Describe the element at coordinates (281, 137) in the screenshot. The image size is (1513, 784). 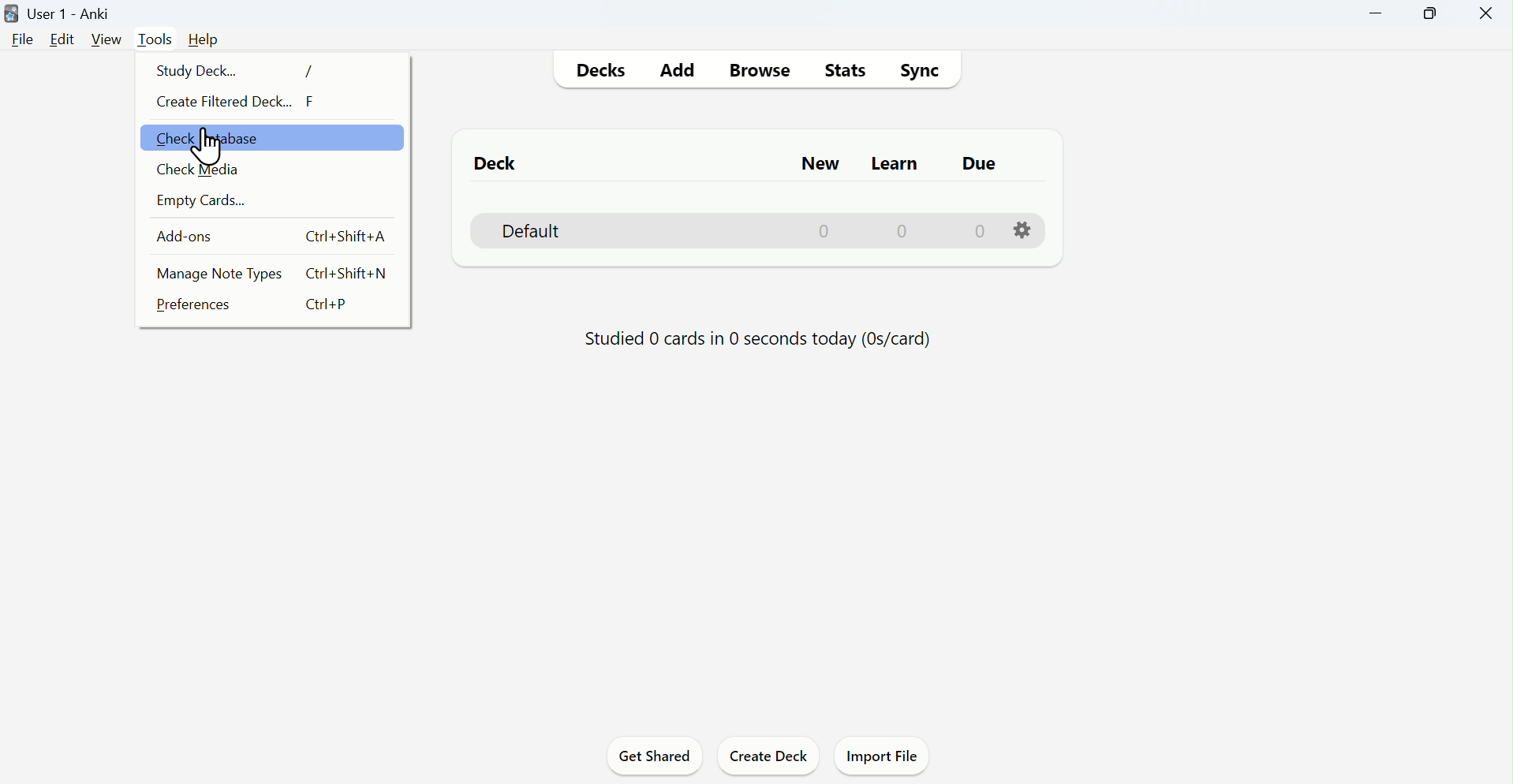
I see `checck database` at that location.